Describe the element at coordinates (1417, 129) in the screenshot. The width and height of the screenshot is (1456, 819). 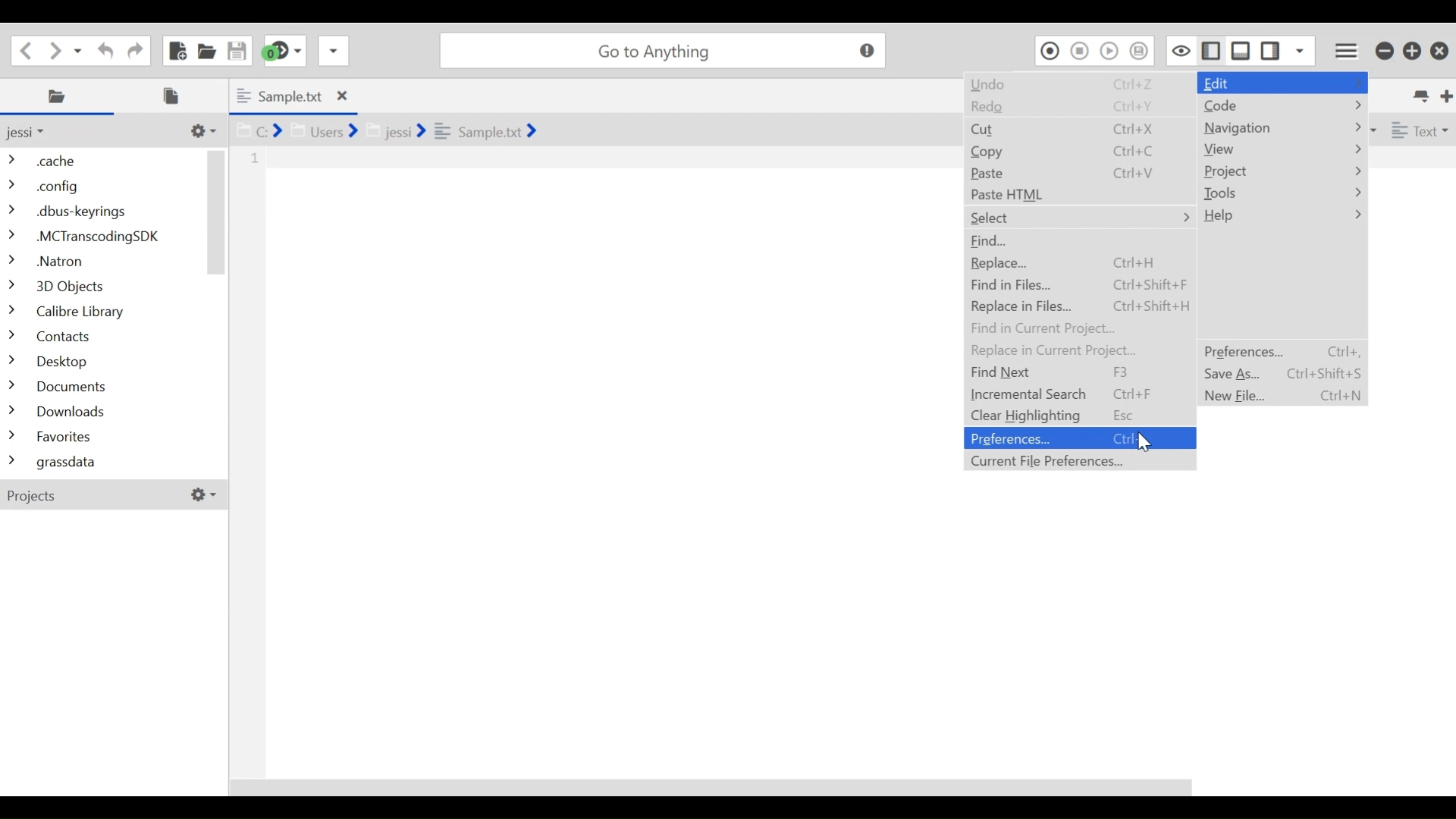
I see `File Type dropdown menu` at that location.